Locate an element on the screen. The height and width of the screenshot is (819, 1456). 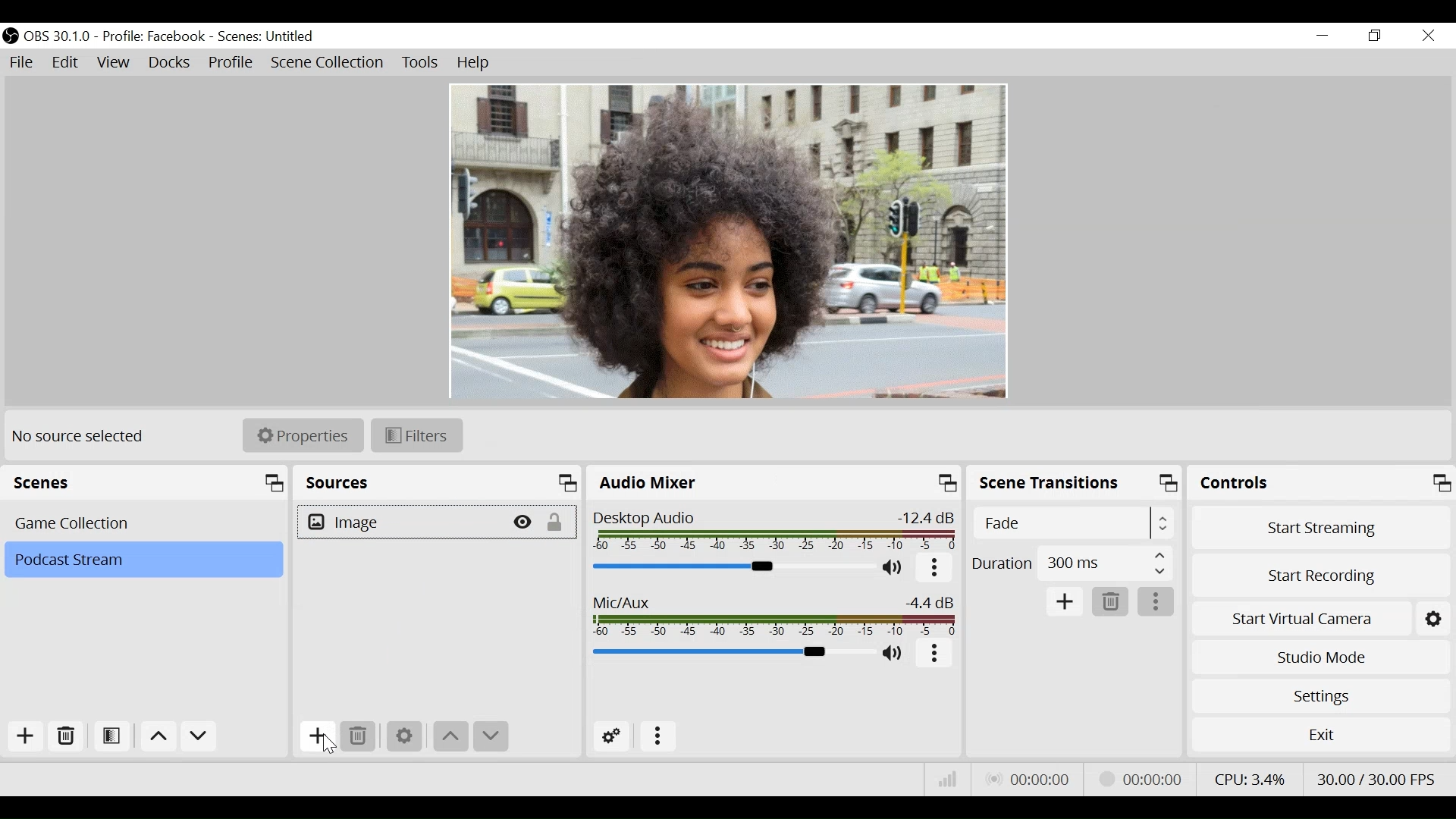
CPU Usage is located at coordinates (1247, 777).